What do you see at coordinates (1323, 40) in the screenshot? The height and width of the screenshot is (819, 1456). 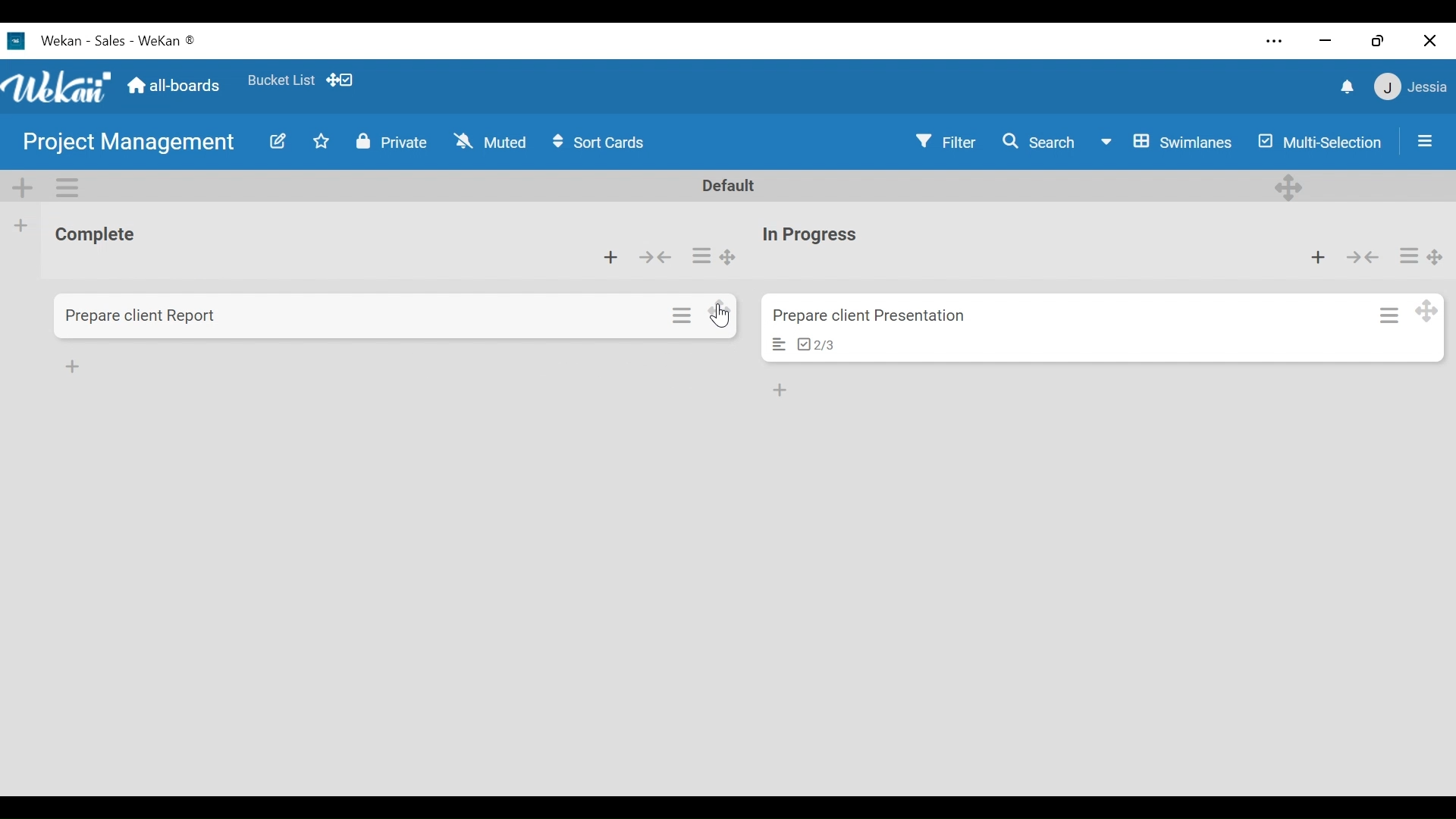 I see `minimize` at bounding box center [1323, 40].